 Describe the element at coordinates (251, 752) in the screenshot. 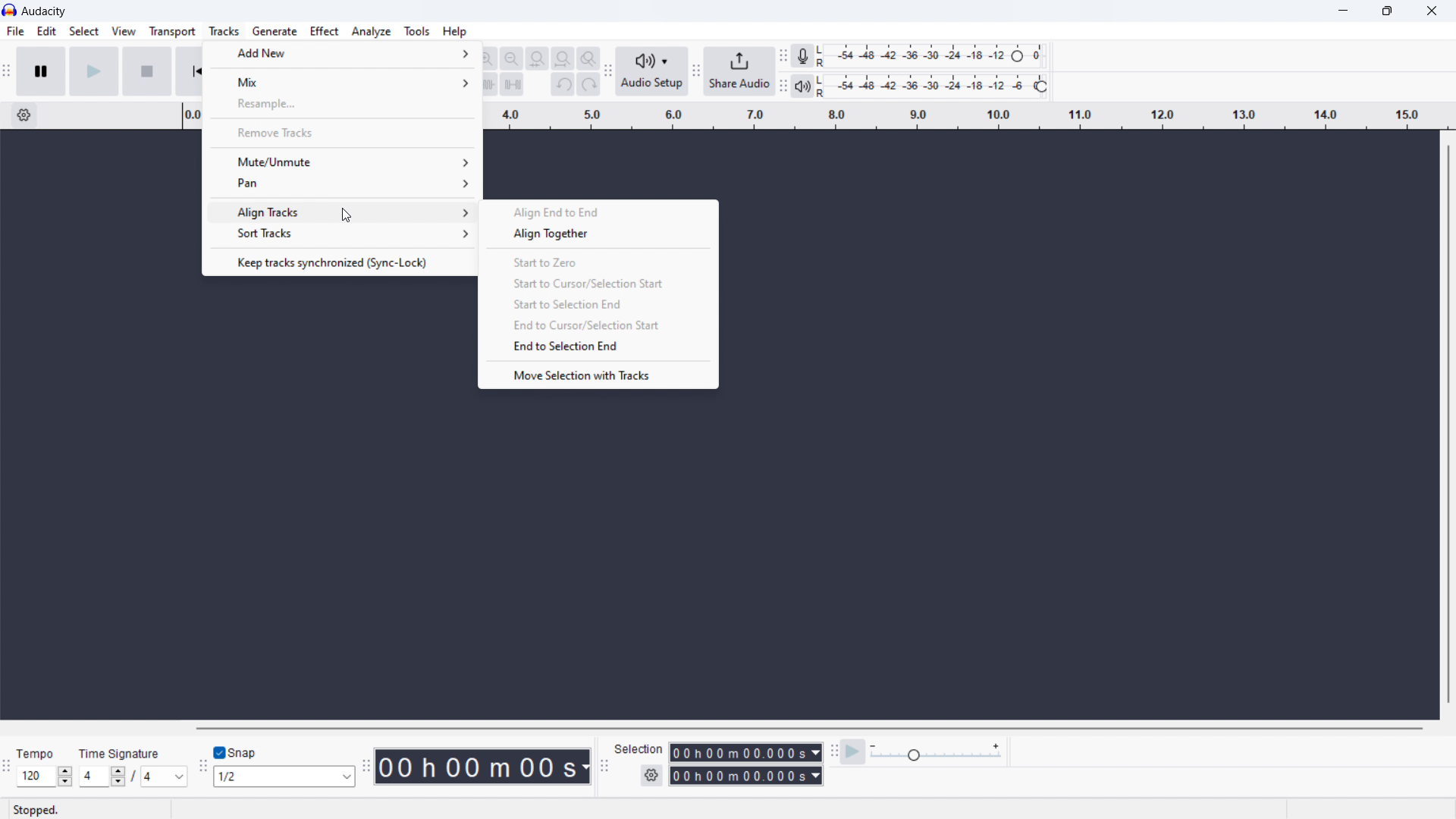

I see `snap` at that location.